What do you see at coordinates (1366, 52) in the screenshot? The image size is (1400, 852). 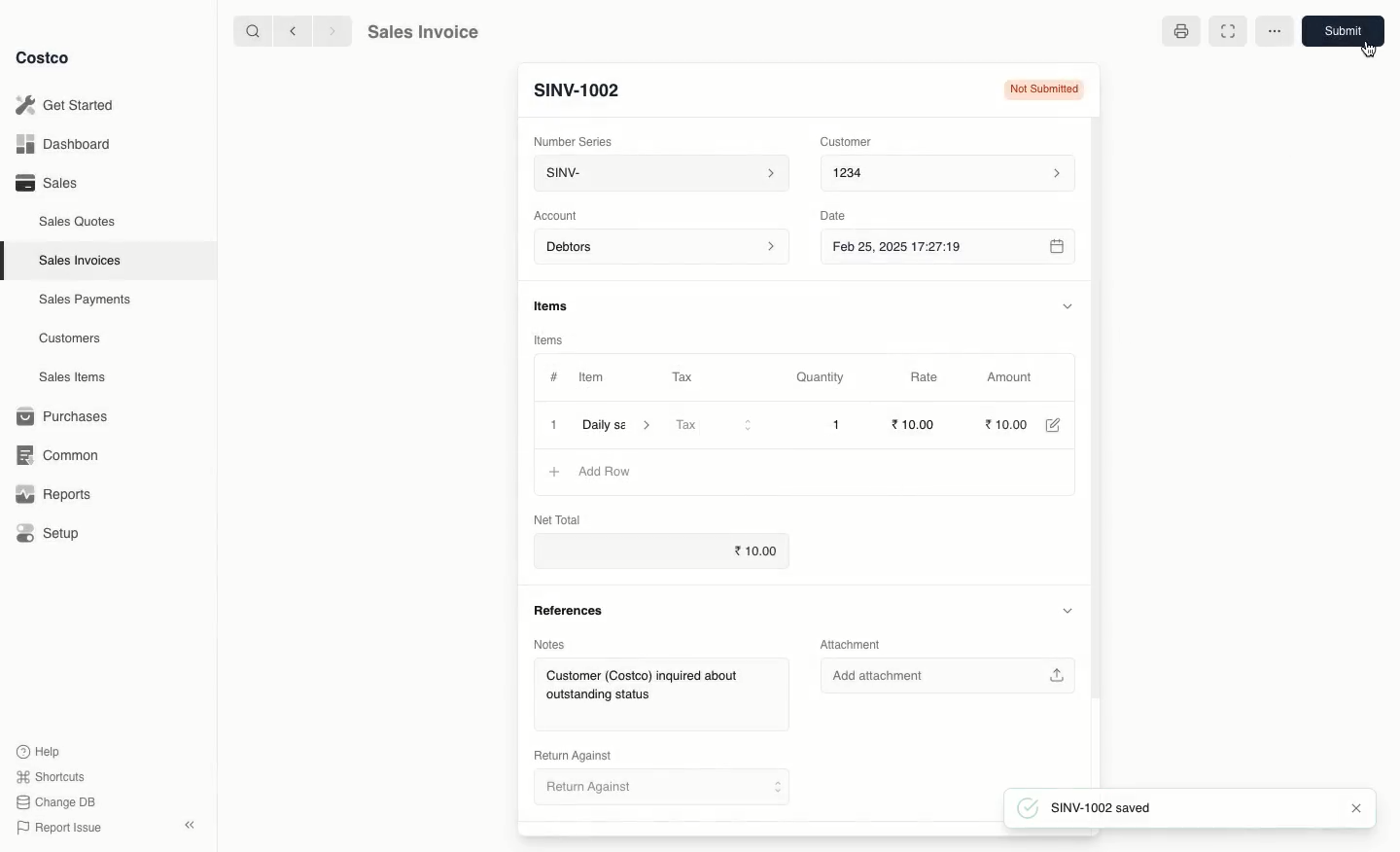 I see `cursor - typing` at bounding box center [1366, 52].